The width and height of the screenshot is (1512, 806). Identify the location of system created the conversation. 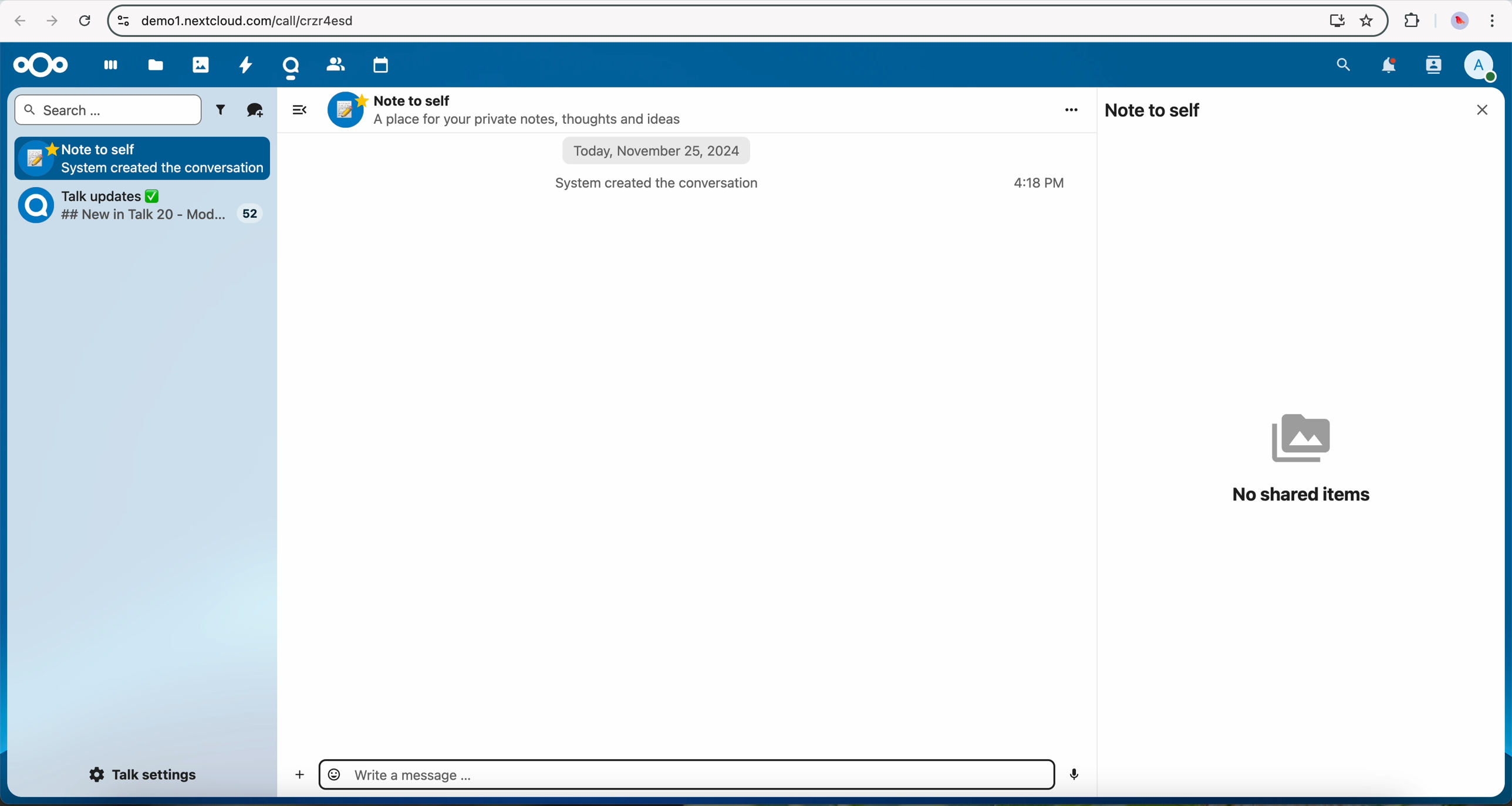
(666, 182).